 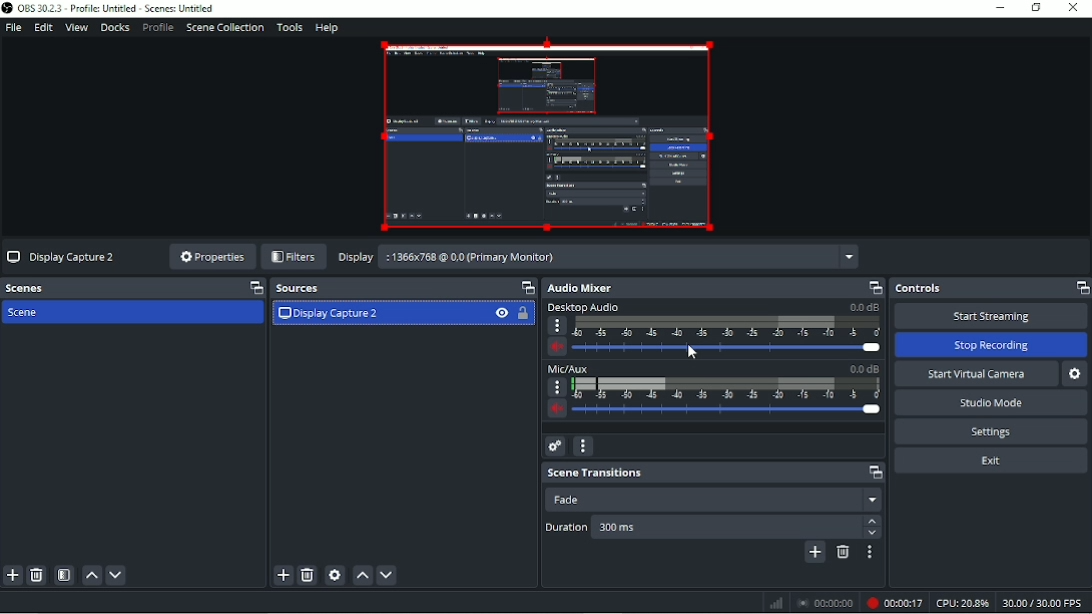 What do you see at coordinates (825, 602) in the screenshot?
I see `Stop recording` at bounding box center [825, 602].